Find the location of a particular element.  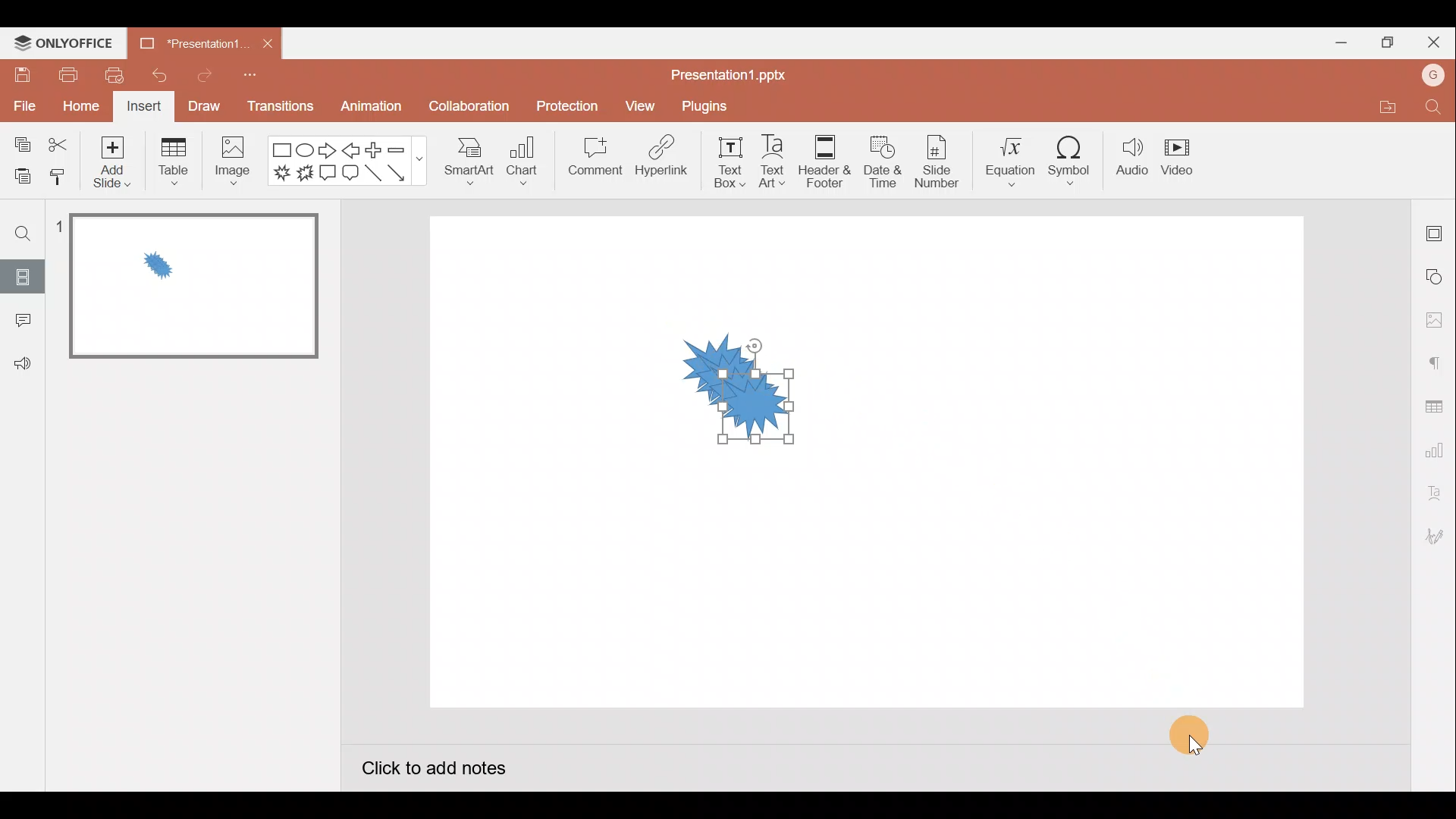

Text box is located at coordinates (719, 163).